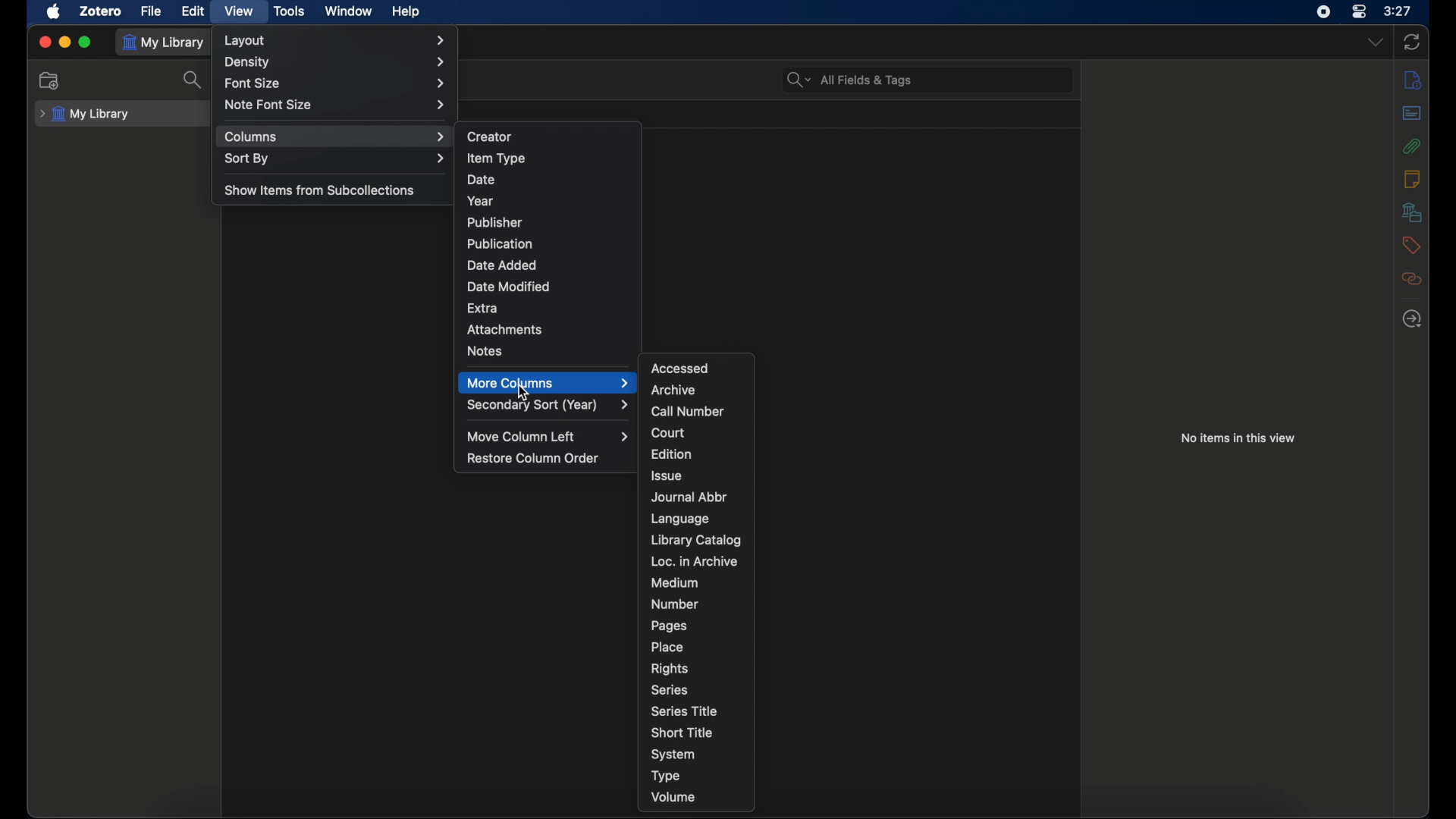 The image size is (1456, 819). What do you see at coordinates (87, 42) in the screenshot?
I see `maximize` at bounding box center [87, 42].